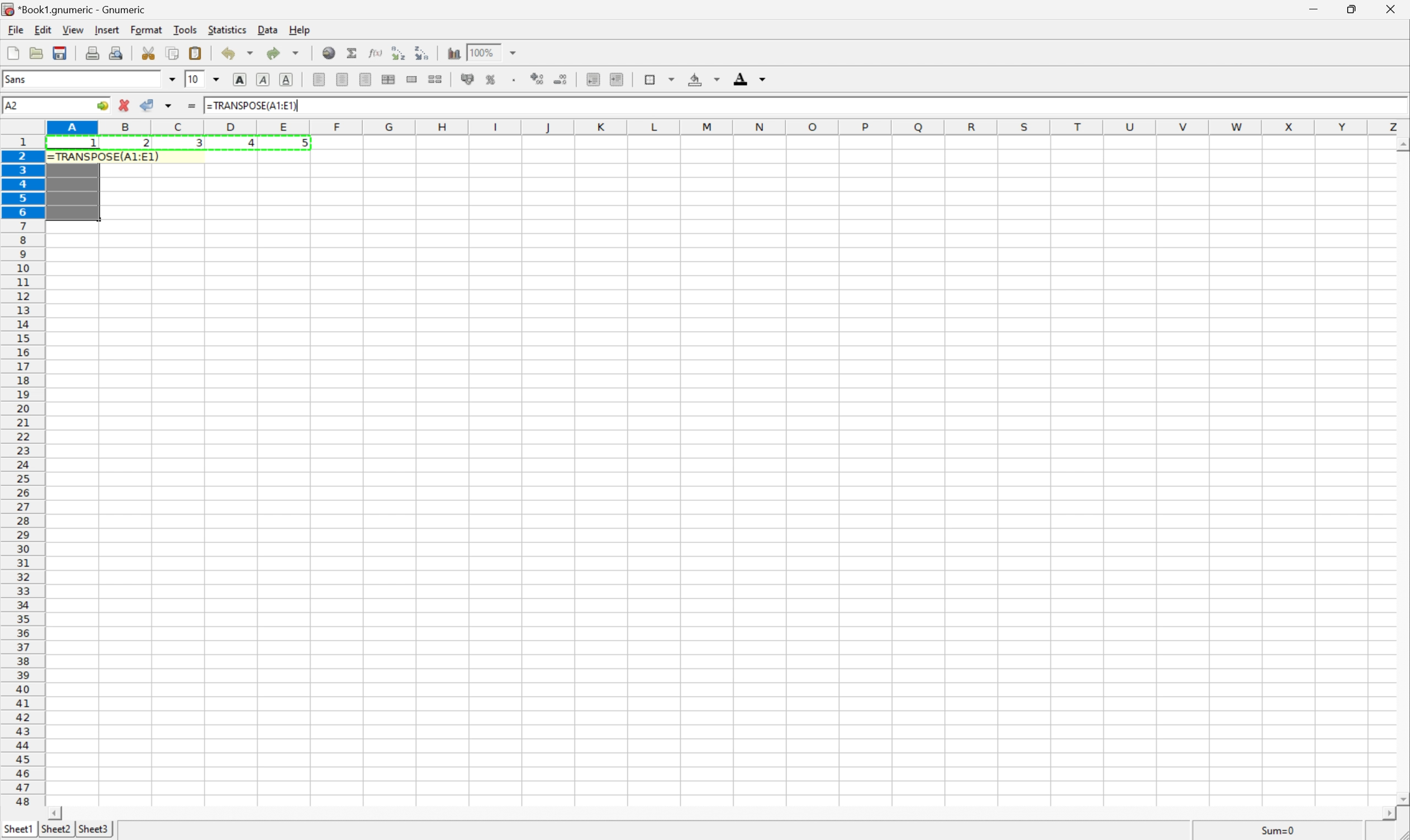 Image resolution: width=1410 pixels, height=840 pixels. What do you see at coordinates (1355, 8) in the screenshot?
I see `restore down` at bounding box center [1355, 8].